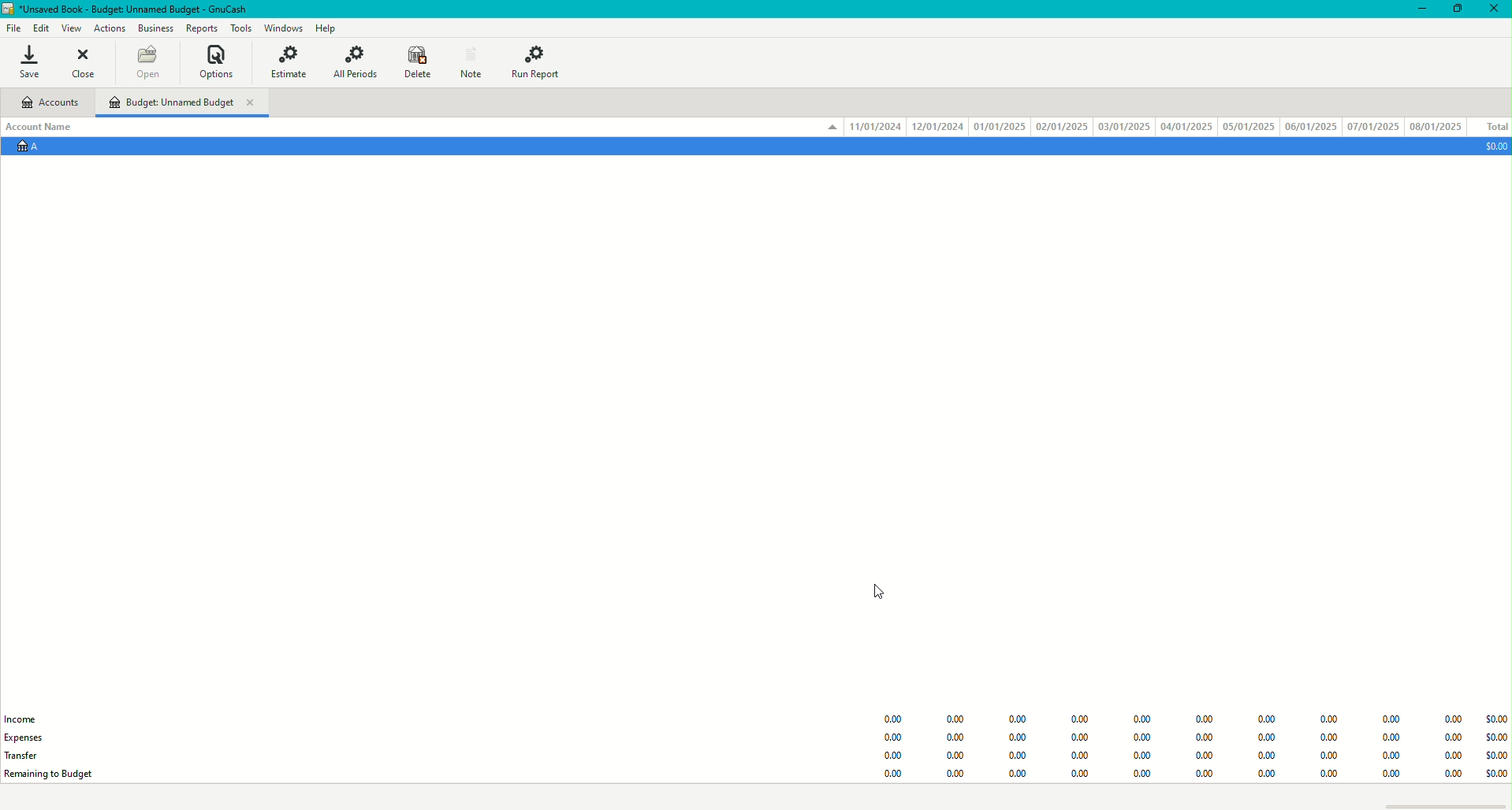  What do you see at coordinates (418, 64) in the screenshot?
I see `Delete` at bounding box center [418, 64].